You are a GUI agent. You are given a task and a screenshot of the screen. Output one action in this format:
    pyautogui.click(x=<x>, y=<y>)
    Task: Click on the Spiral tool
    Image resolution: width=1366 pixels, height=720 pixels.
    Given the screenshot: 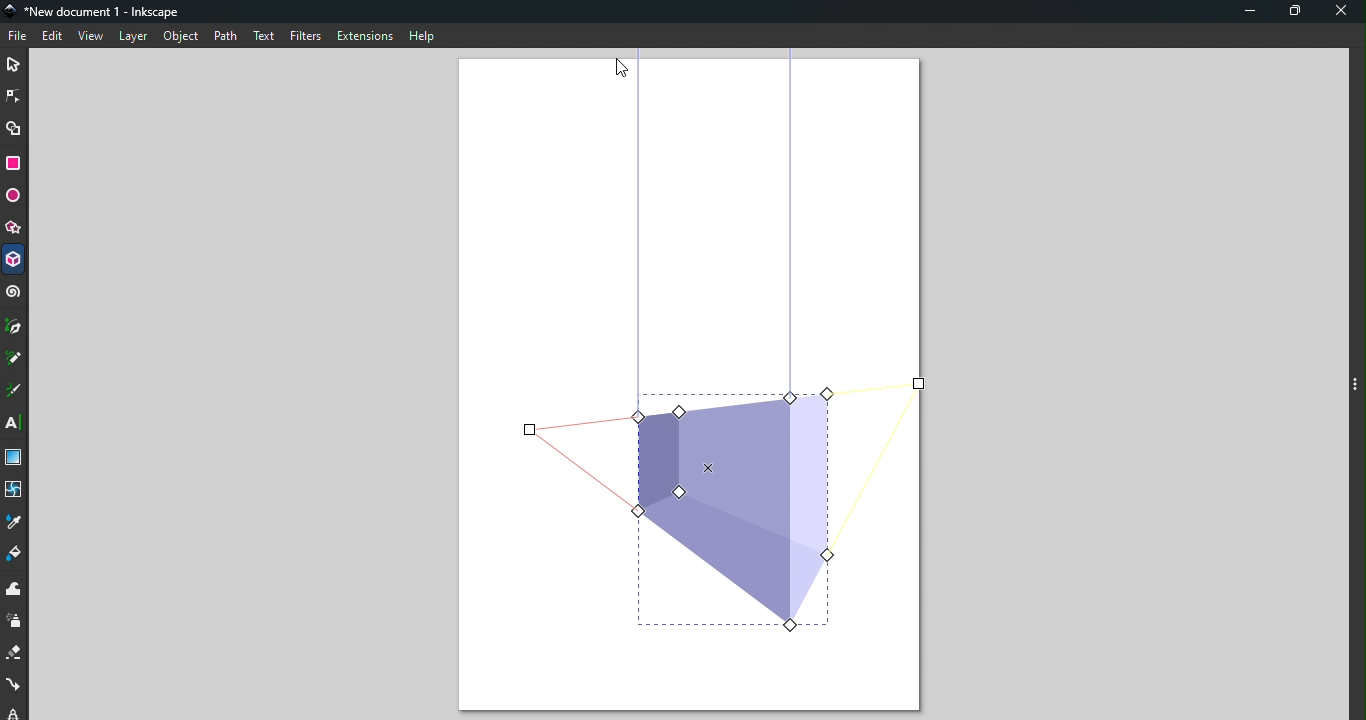 What is the action you would take?
    pyautogui.click(x=14, y=296)
    